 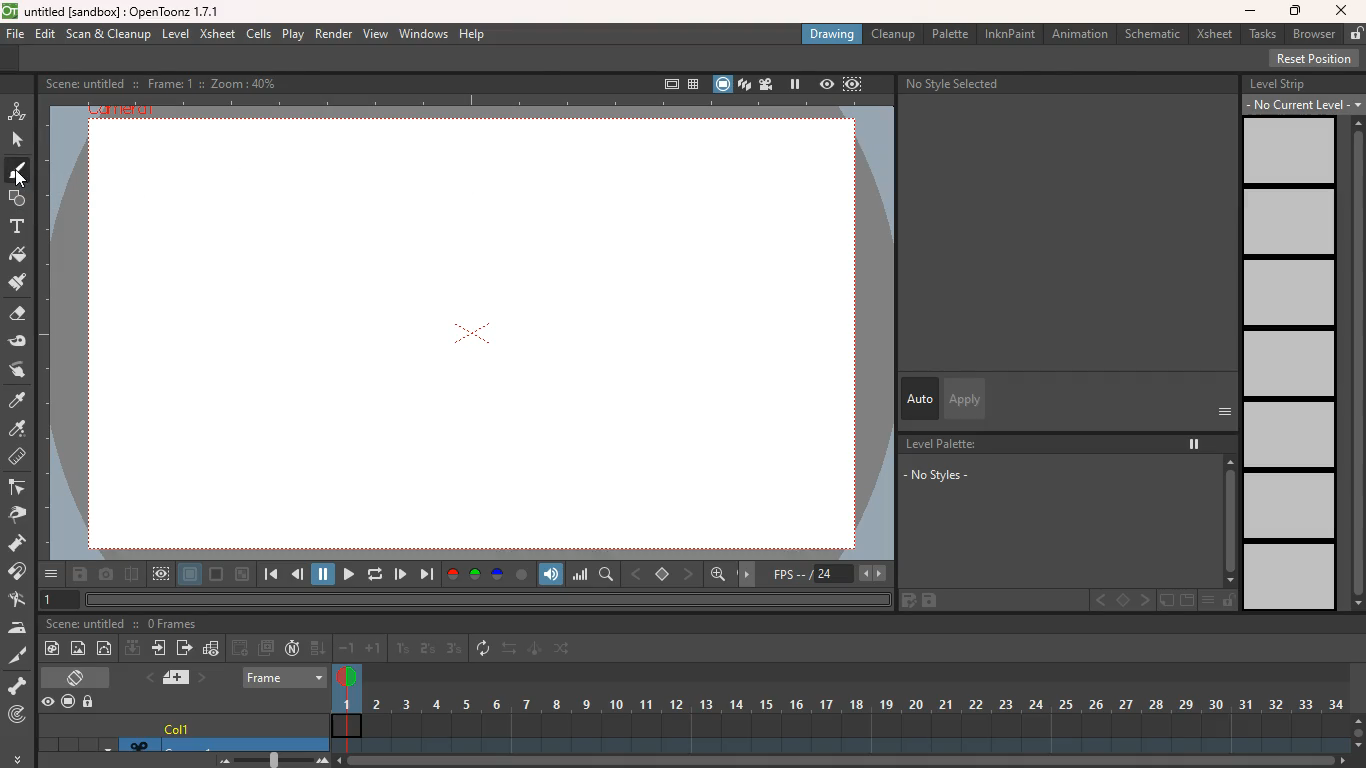 What do you see at coordinates (17, 716) in the screenshot?
I see `locate` at bounding box center [17, 716].